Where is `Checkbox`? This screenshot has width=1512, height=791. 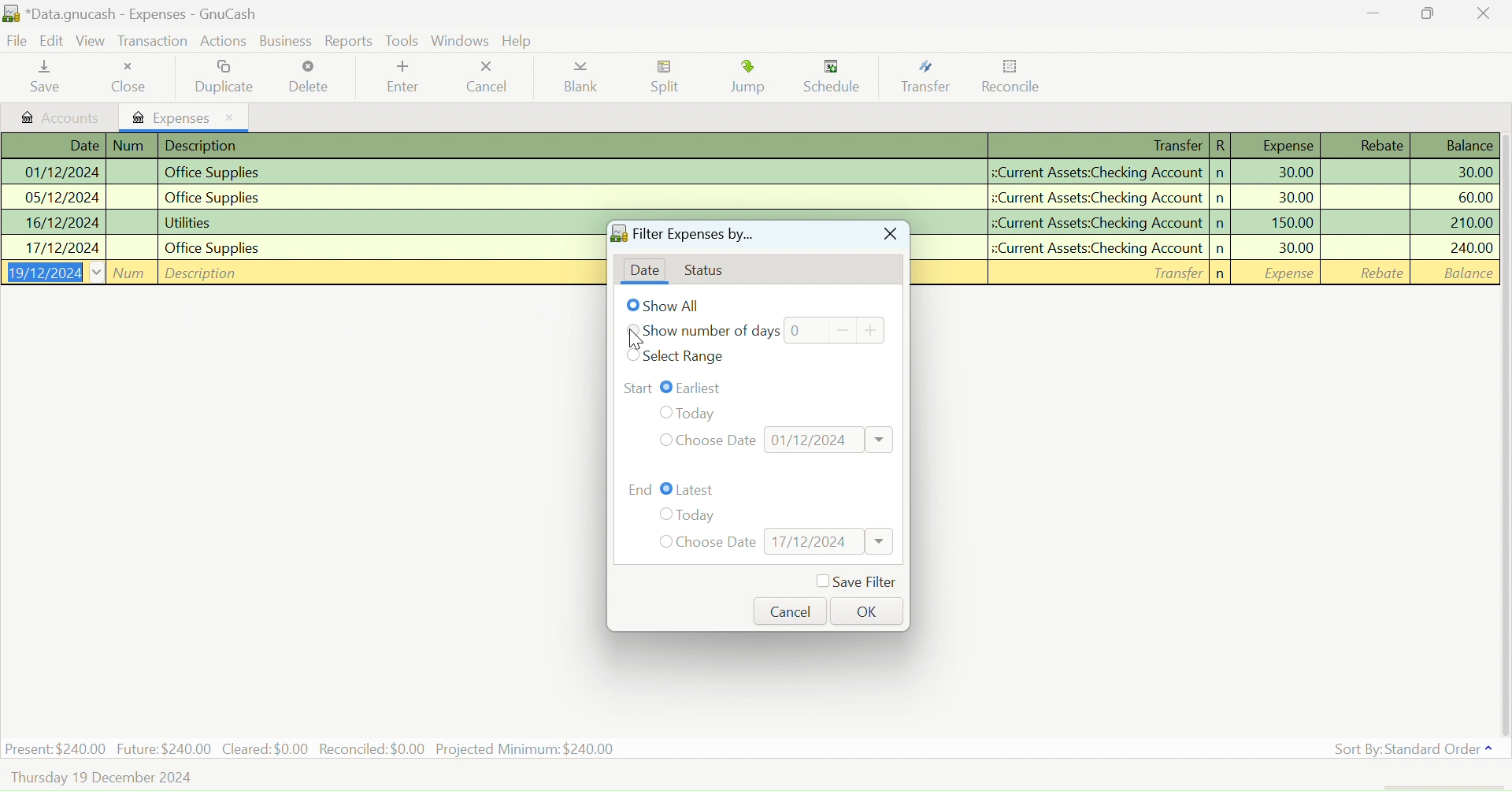 Checkbox is located at coordinates (635, 355).